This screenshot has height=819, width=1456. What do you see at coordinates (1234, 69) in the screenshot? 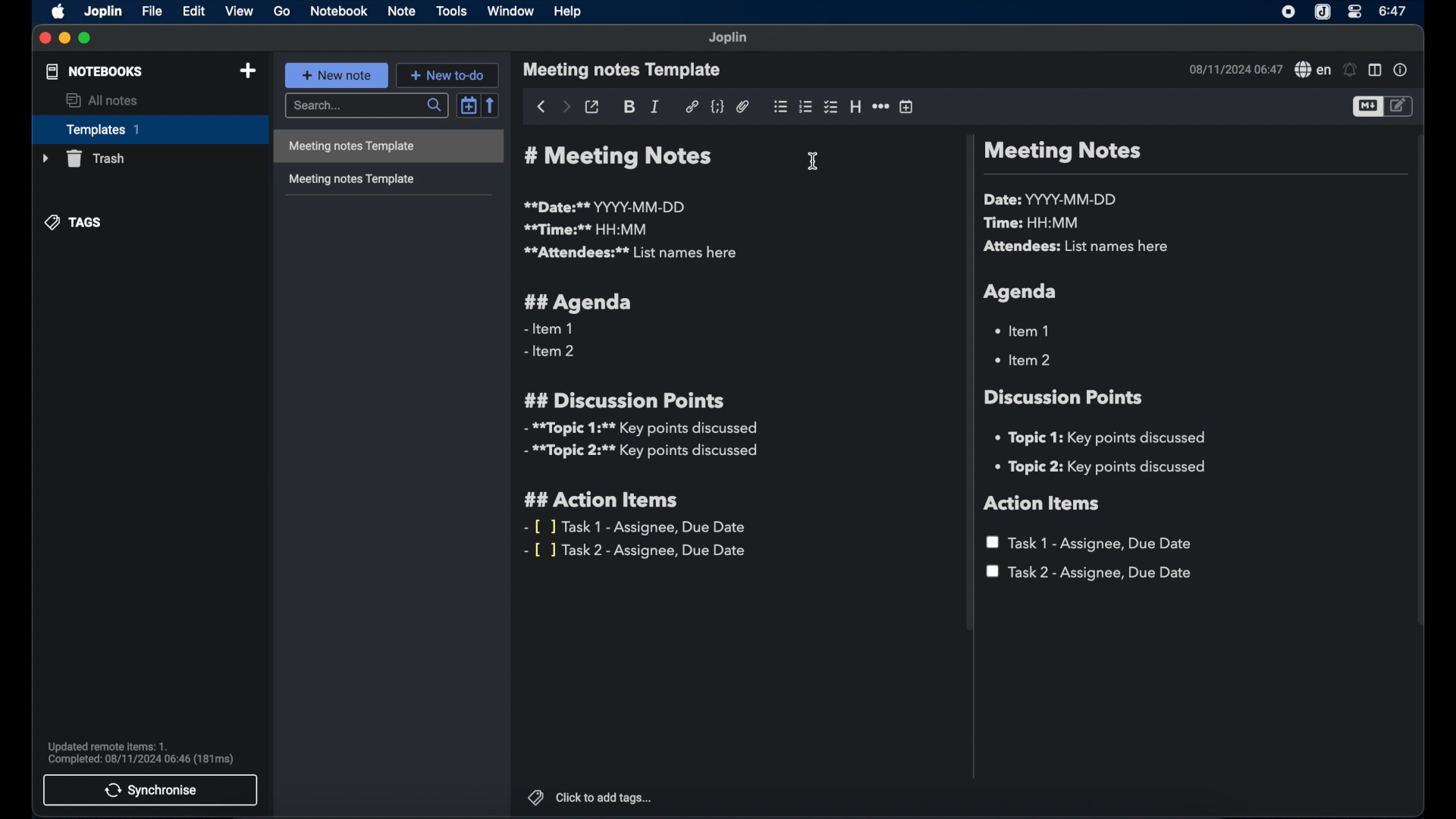
I see `08/11/2024 06:47` at bounding box center [1234, 69].